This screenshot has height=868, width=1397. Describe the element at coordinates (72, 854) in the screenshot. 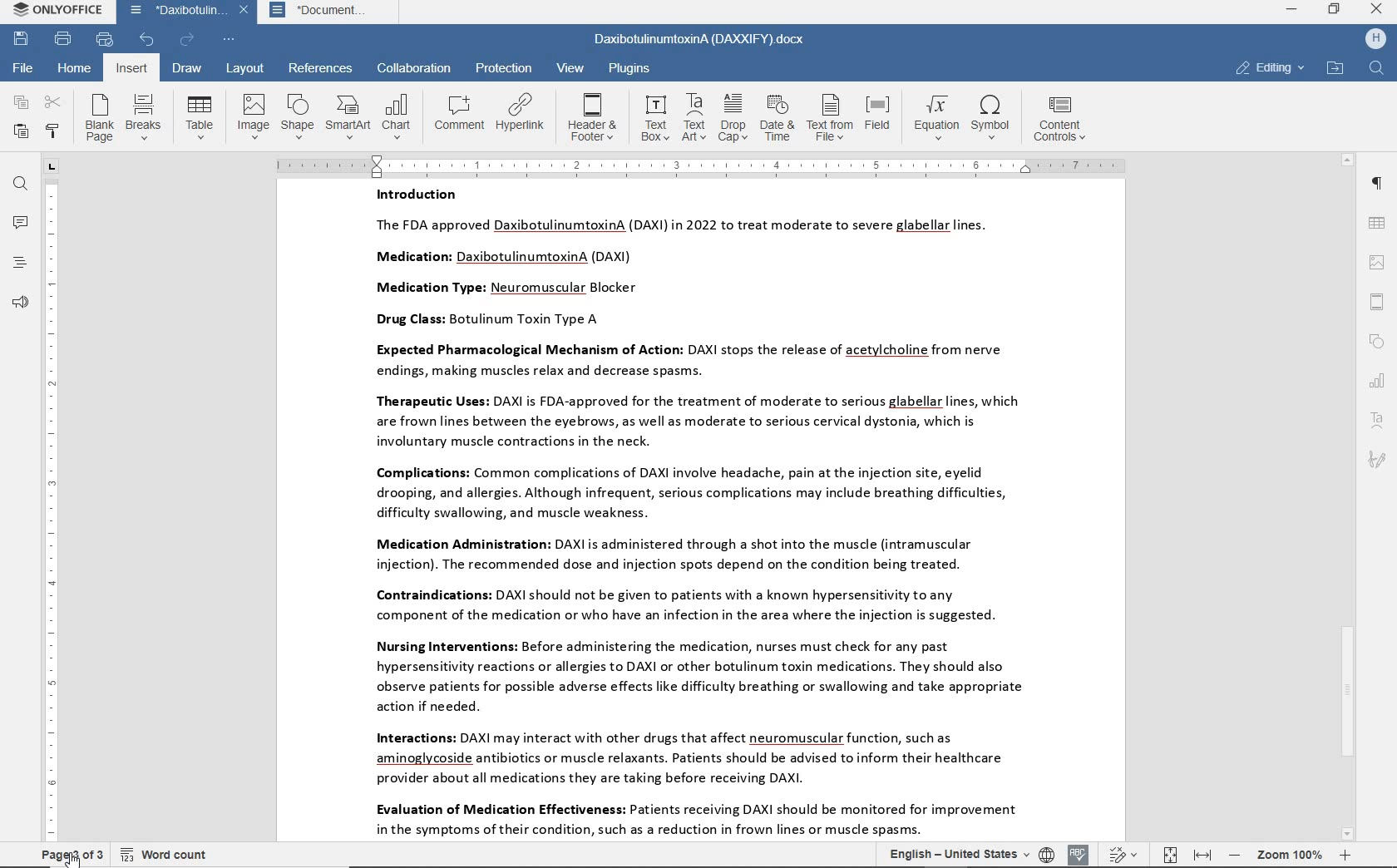

I see `page 3 of 3` at that location.